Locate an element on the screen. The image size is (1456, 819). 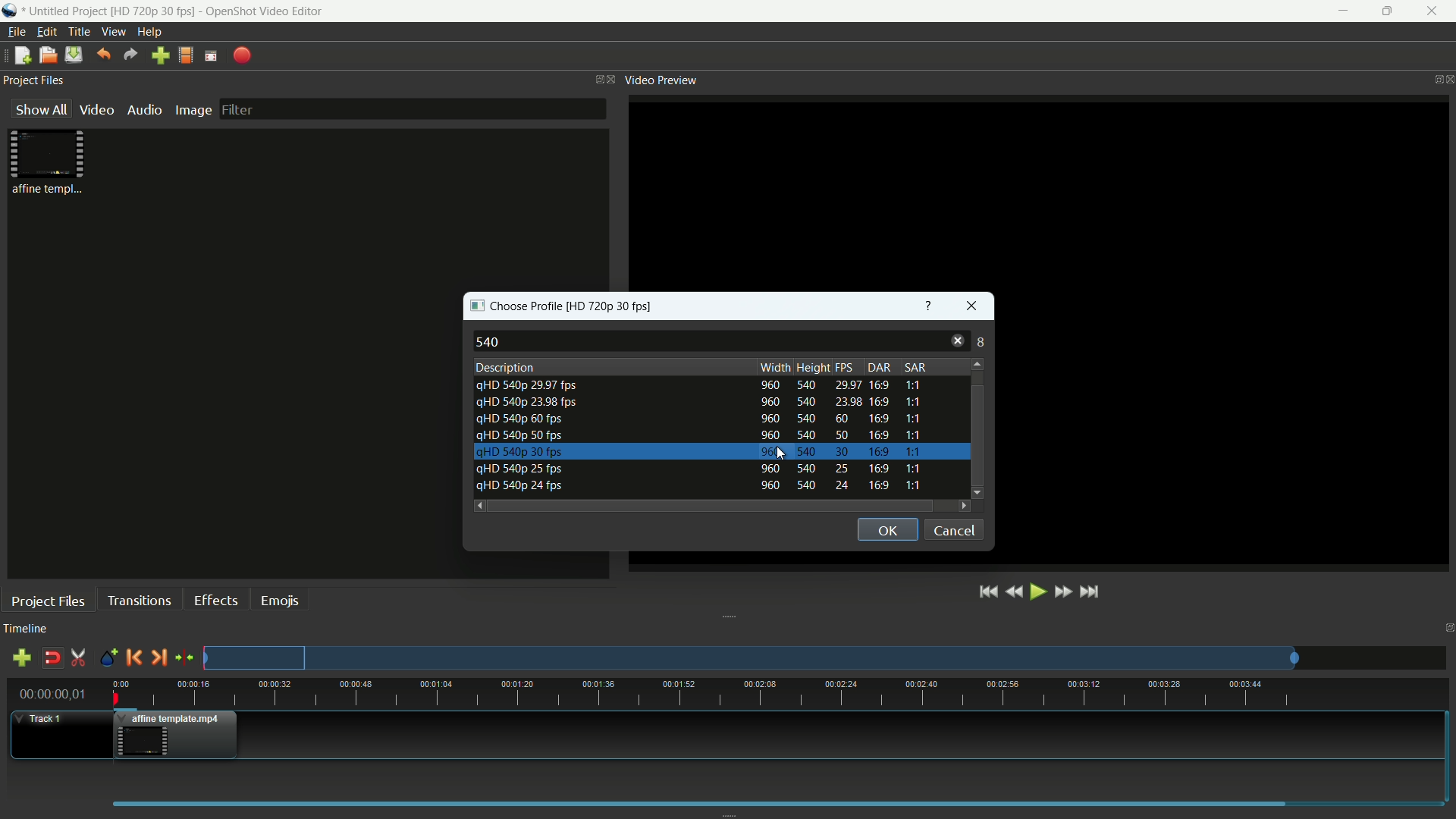
540 is located at coordinates (490, 340).